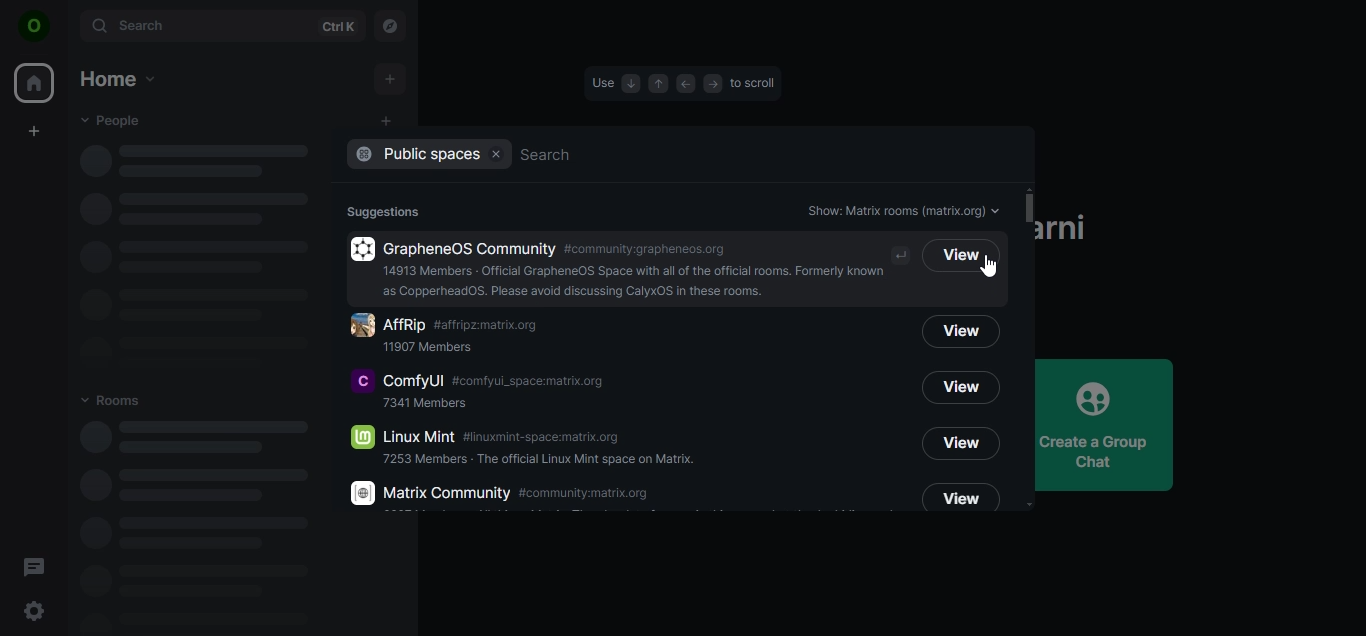 The image size is (1366, 636). Describe the element at coordinates (902, 210) in the screenshot. I see `text` at that location.